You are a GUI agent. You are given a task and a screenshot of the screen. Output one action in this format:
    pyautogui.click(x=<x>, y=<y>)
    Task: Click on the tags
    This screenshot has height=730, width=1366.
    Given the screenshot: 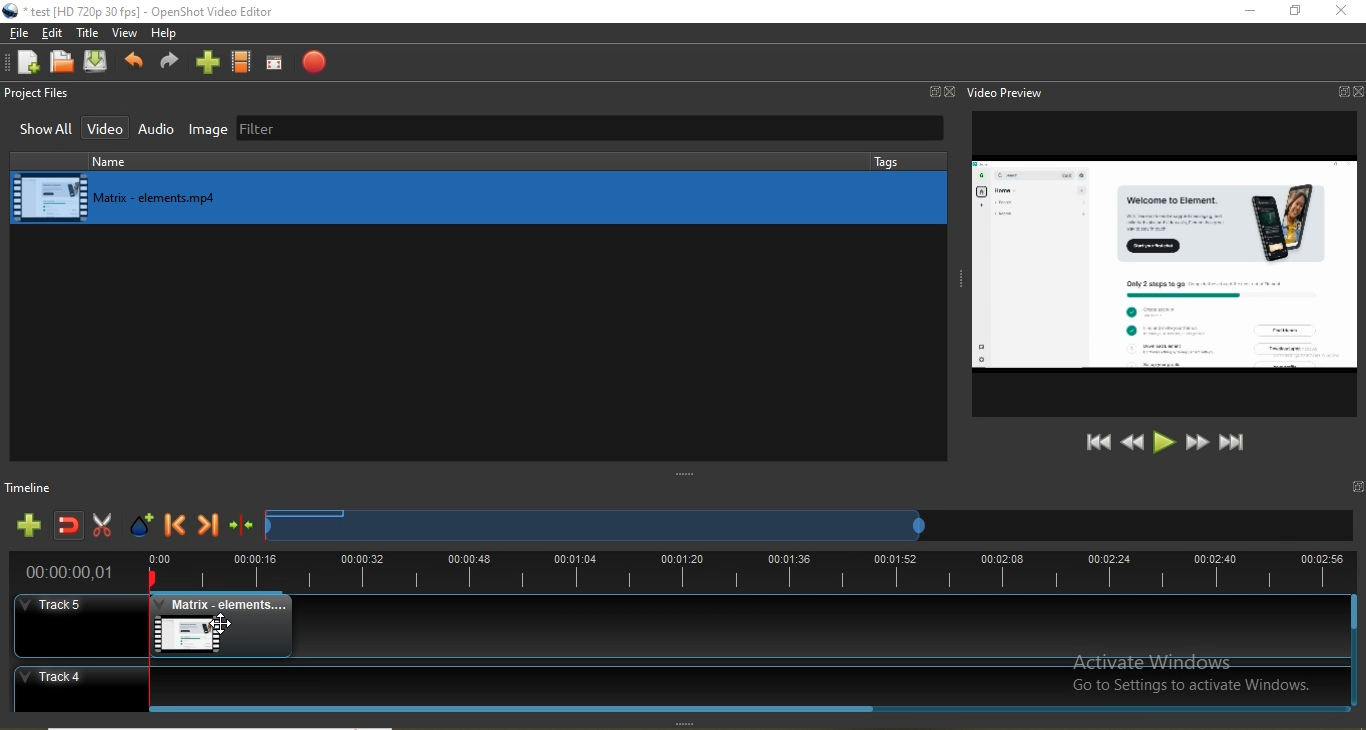 What is the action you would take?
    pyautogui.click(x=890, y=161)
    